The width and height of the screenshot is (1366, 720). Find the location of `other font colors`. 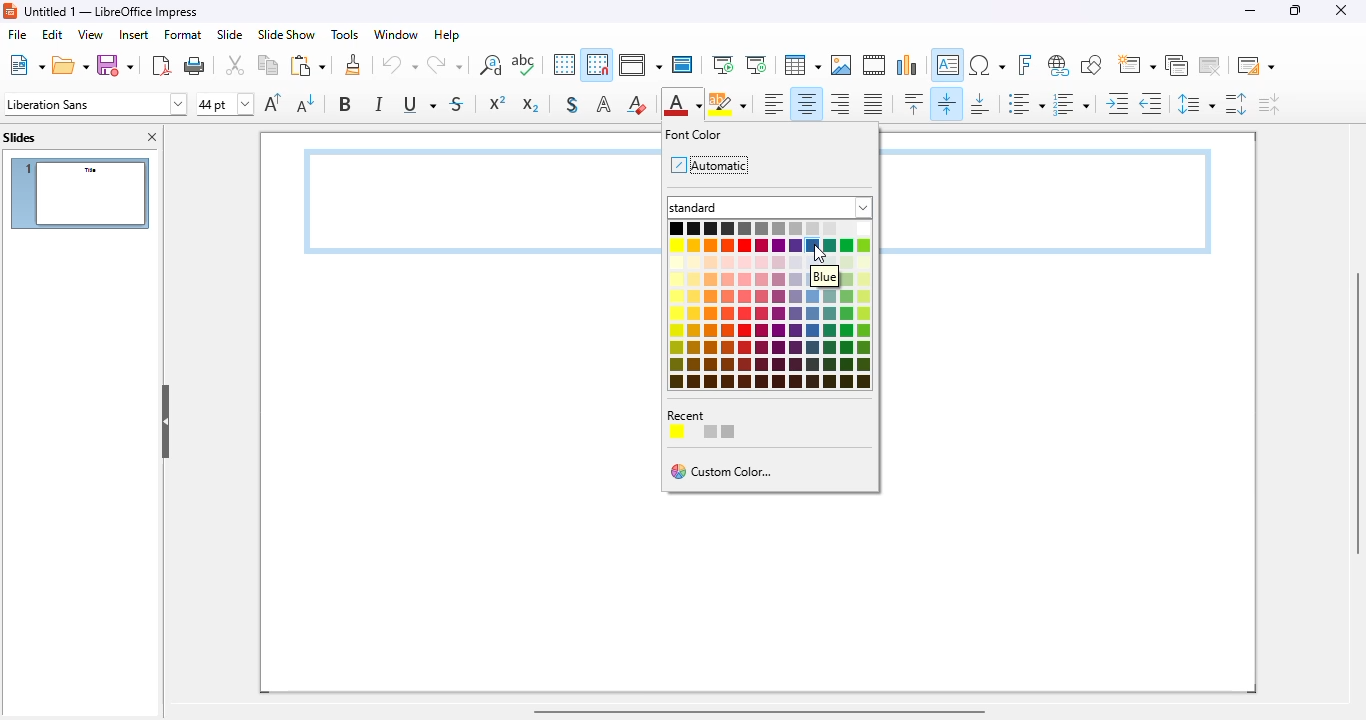

other font colors is located at coordinates (857, 255).